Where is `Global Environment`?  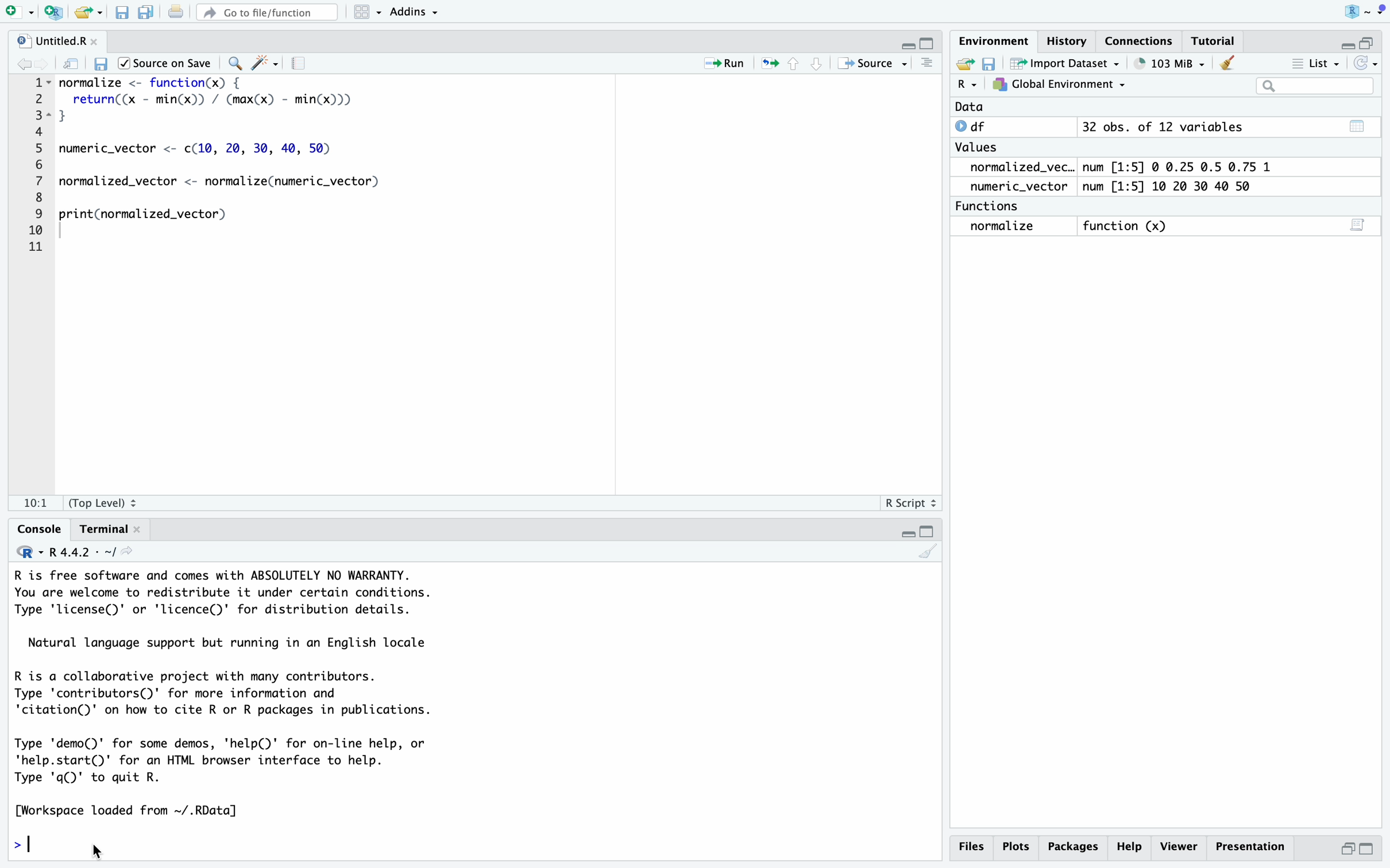
Global Environment is located at coordinates (1057, 84).